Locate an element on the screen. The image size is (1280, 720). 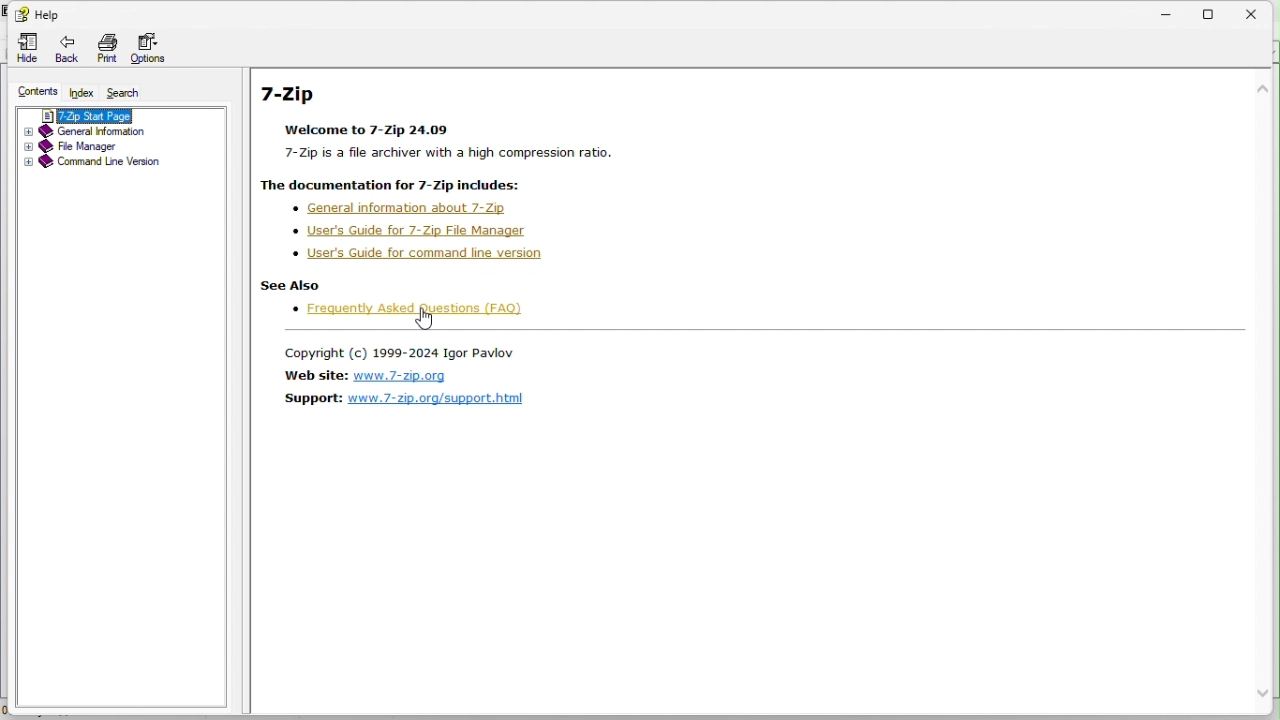
Copyright(c) 1999-2024 Igor Pavlov is located at coordinates (391, 349).